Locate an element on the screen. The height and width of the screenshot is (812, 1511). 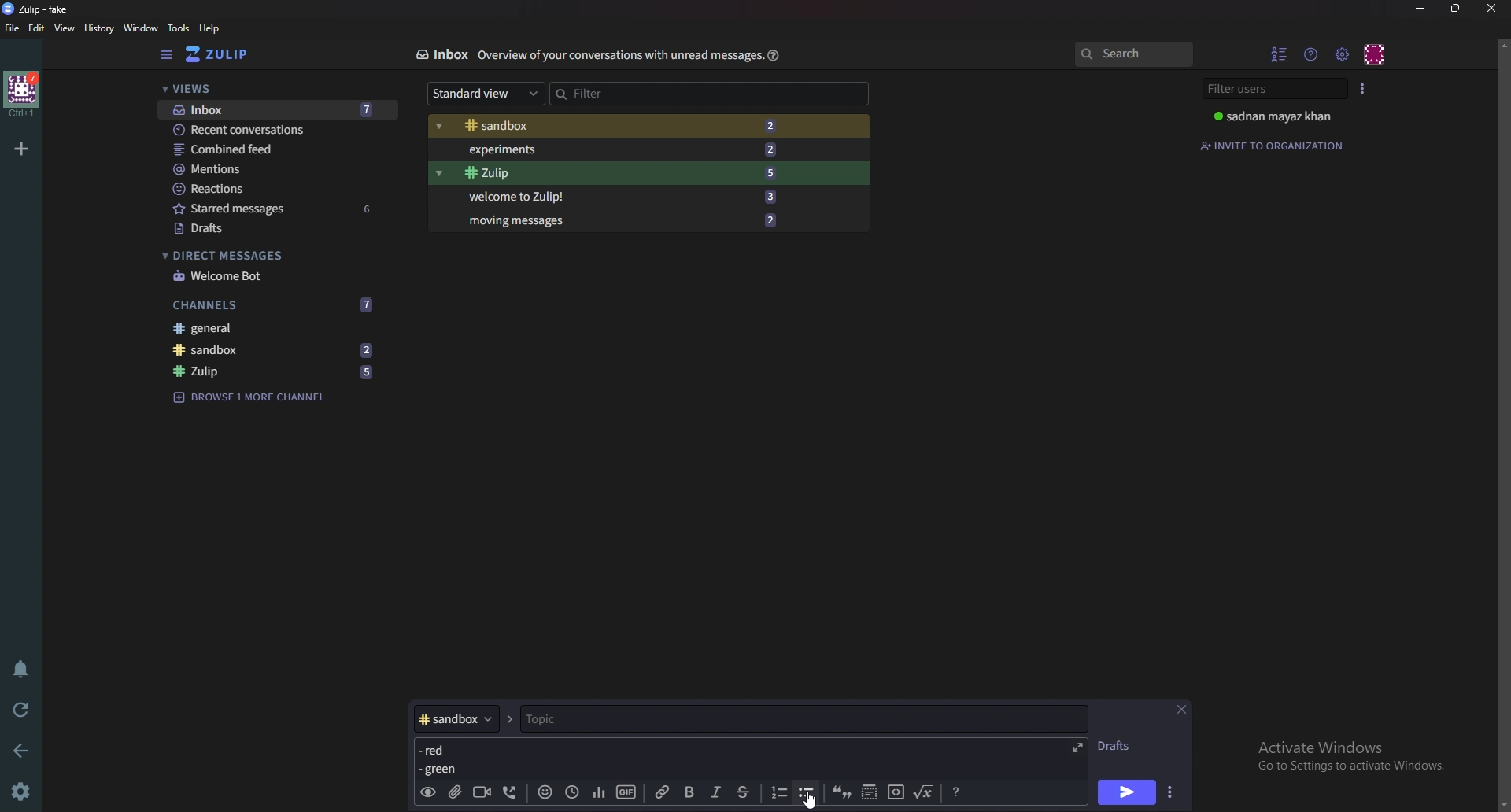
Back is located at coordinates (24, 749).